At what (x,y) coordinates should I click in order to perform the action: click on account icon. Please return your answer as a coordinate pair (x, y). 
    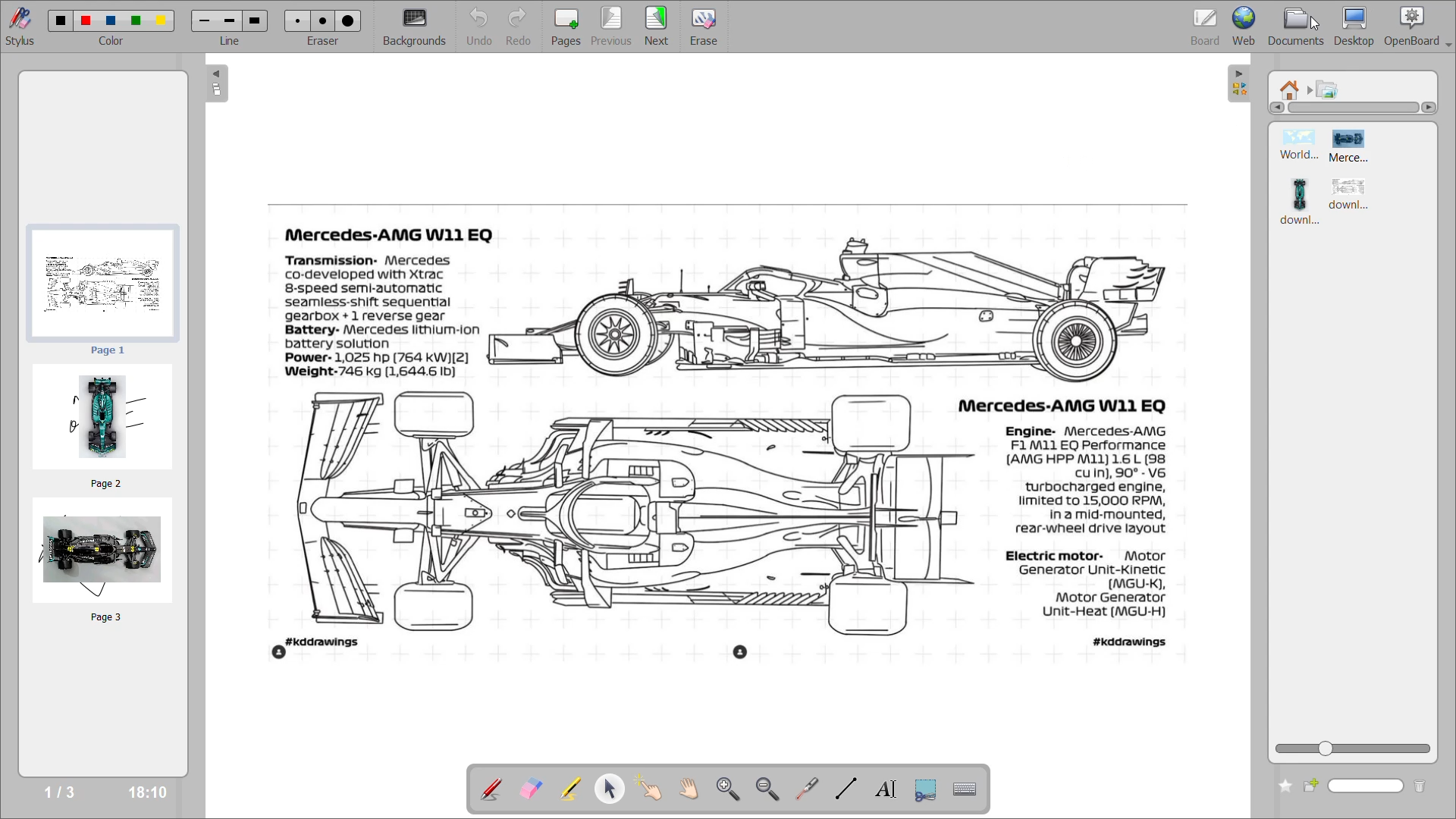
    Looking at the image, I should click on (740, 651).